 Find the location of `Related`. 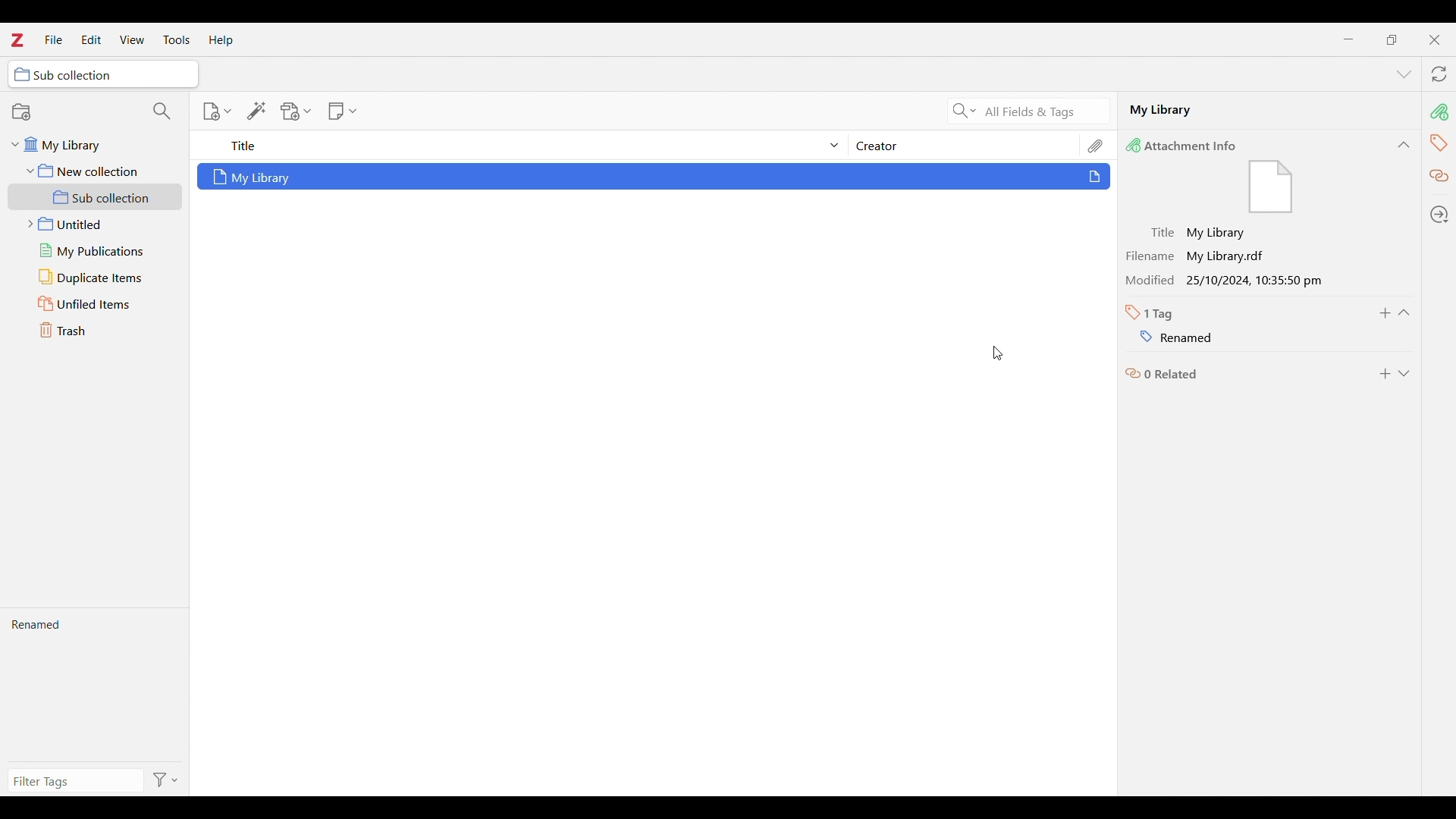

Related is located at coordinates (1440, 177).